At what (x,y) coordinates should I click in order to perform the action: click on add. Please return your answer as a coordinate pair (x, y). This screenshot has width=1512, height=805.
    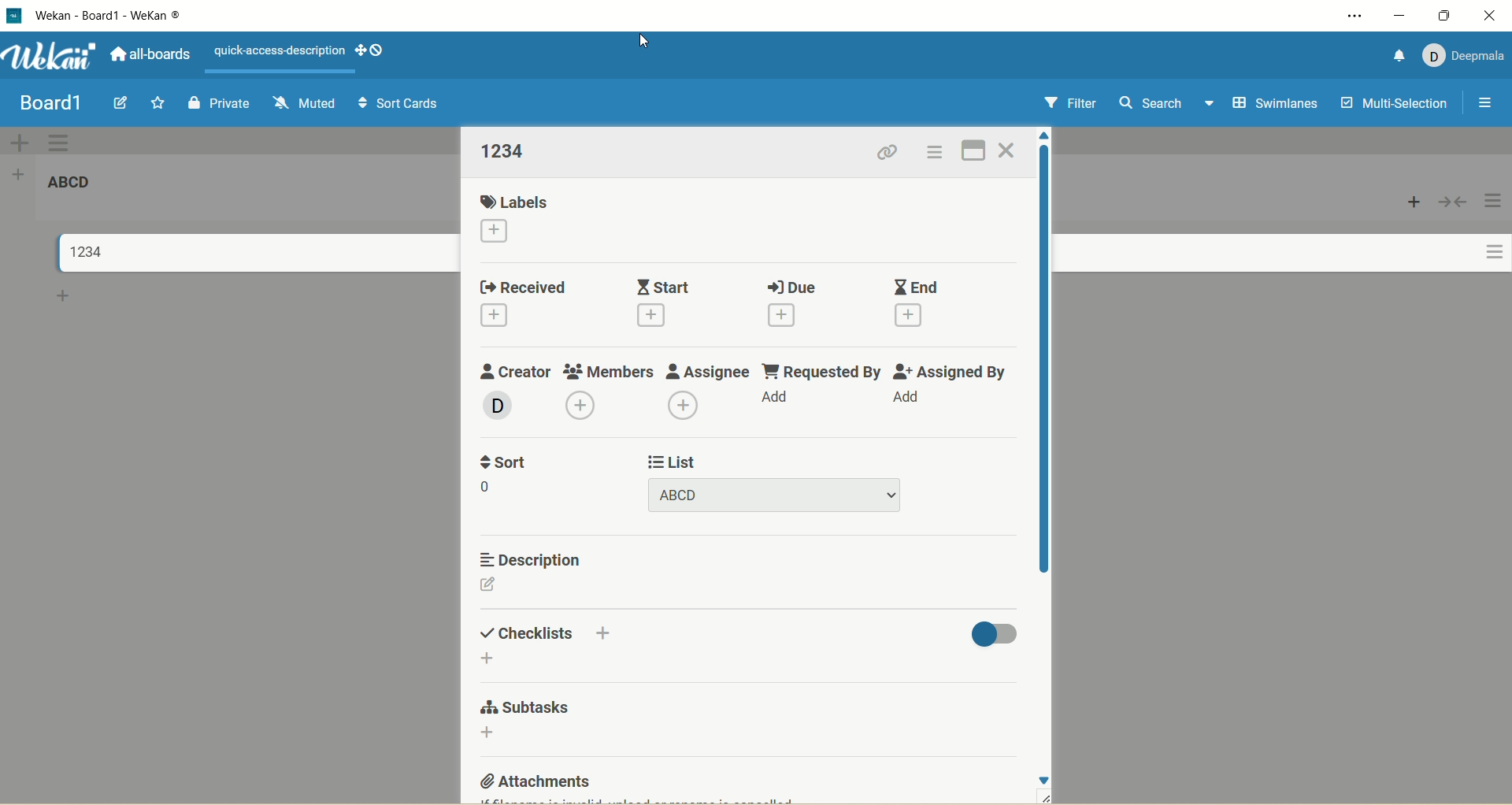
    Looking at the image, I should click on (785, 314).